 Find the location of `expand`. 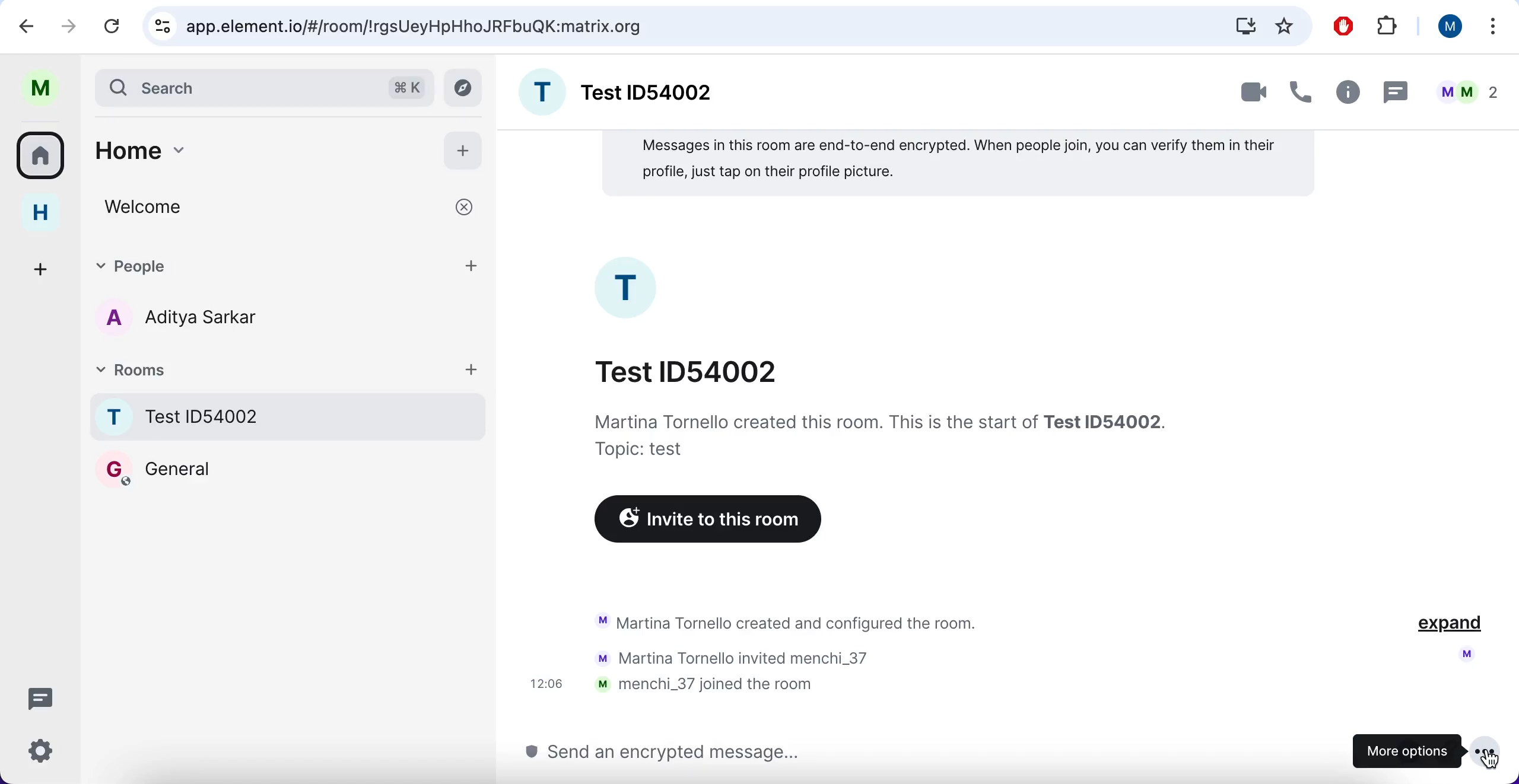

expand is located at coordinates (1449, 624).